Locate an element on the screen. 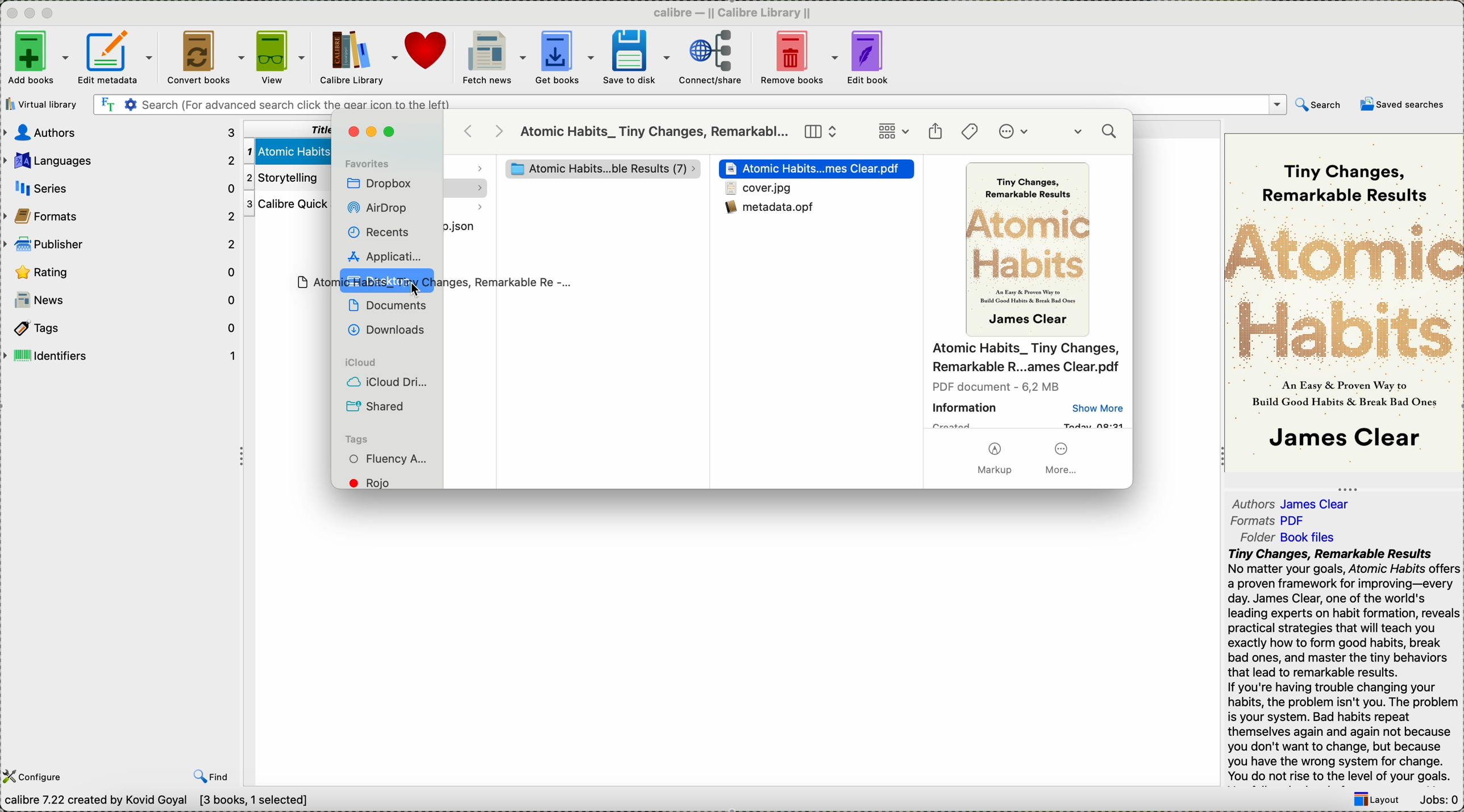 This screenshot has height=812, width=1464. Calibre is located at coordinates (737, 12).